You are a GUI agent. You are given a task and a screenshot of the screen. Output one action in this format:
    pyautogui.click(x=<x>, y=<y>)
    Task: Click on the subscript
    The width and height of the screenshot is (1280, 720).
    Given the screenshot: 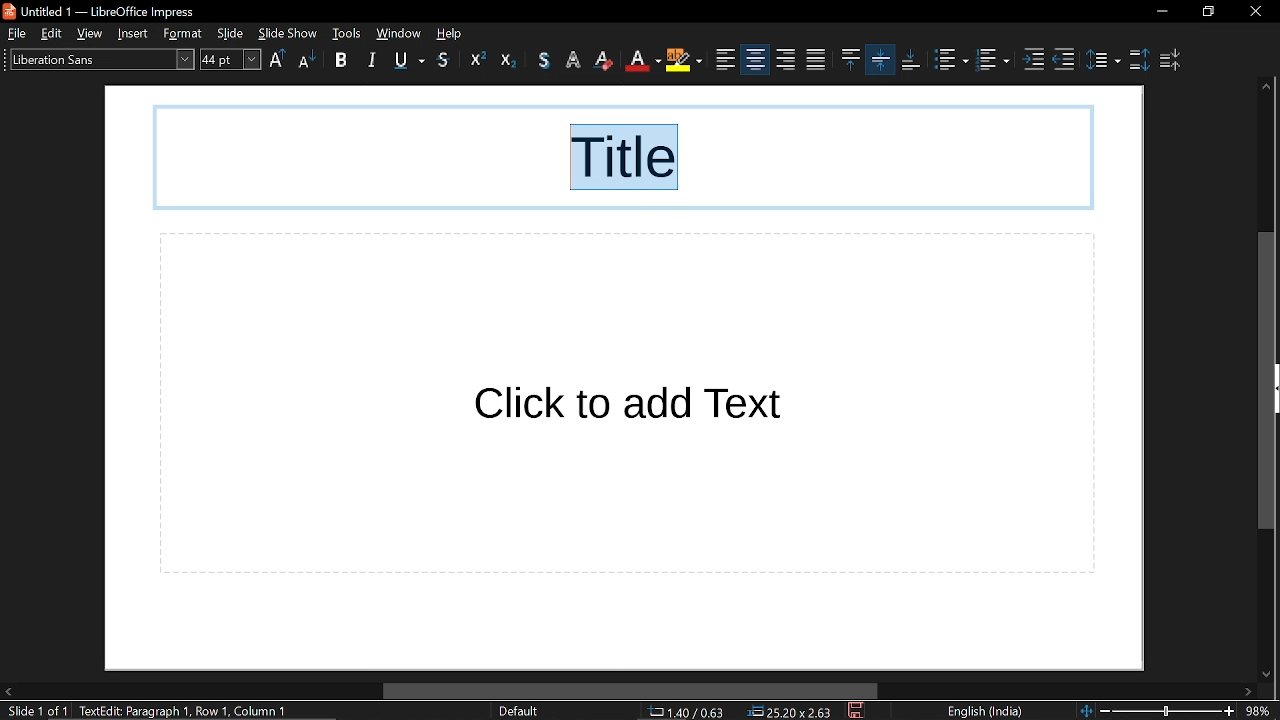 What is the action you would take?
    pyautogui.click(x=508, y=60)
    